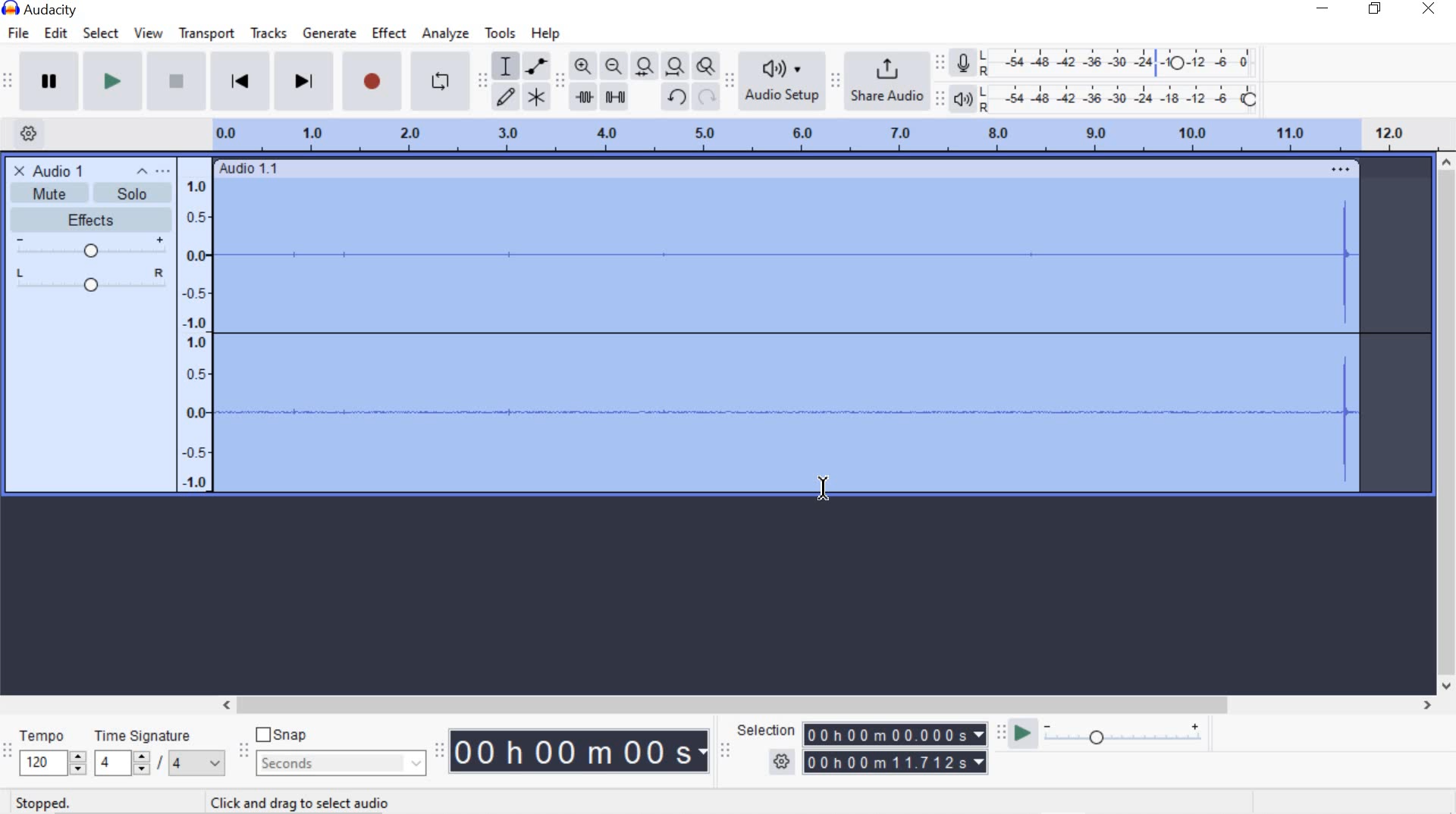  Describe the element at coordinates (50, 81) in the screenshot. I see `Pause` at that location.